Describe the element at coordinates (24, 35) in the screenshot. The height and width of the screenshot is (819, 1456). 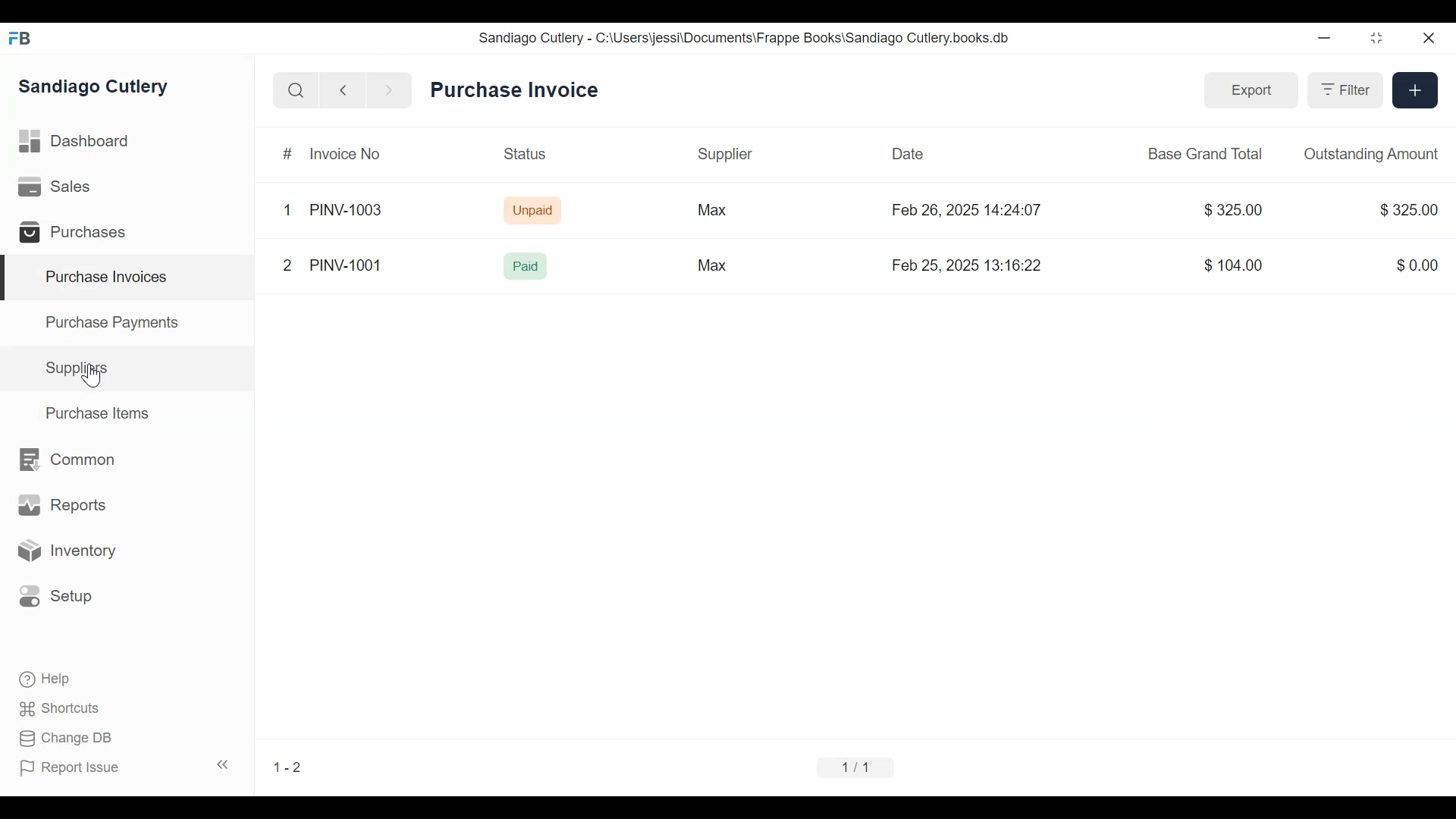
I see `Frappebooks Logo` at that location.